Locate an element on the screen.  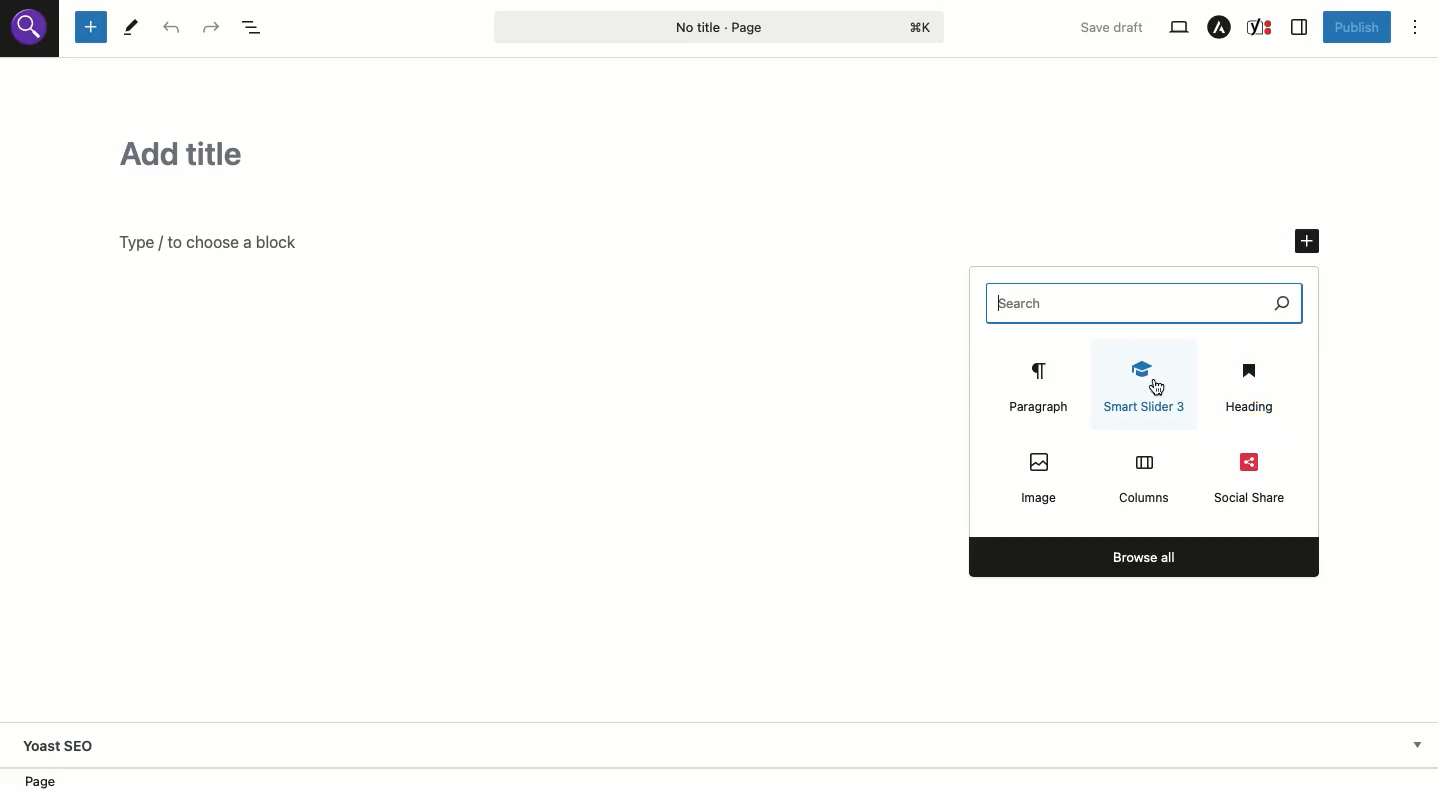
Page is located at coordinates (720, 26).